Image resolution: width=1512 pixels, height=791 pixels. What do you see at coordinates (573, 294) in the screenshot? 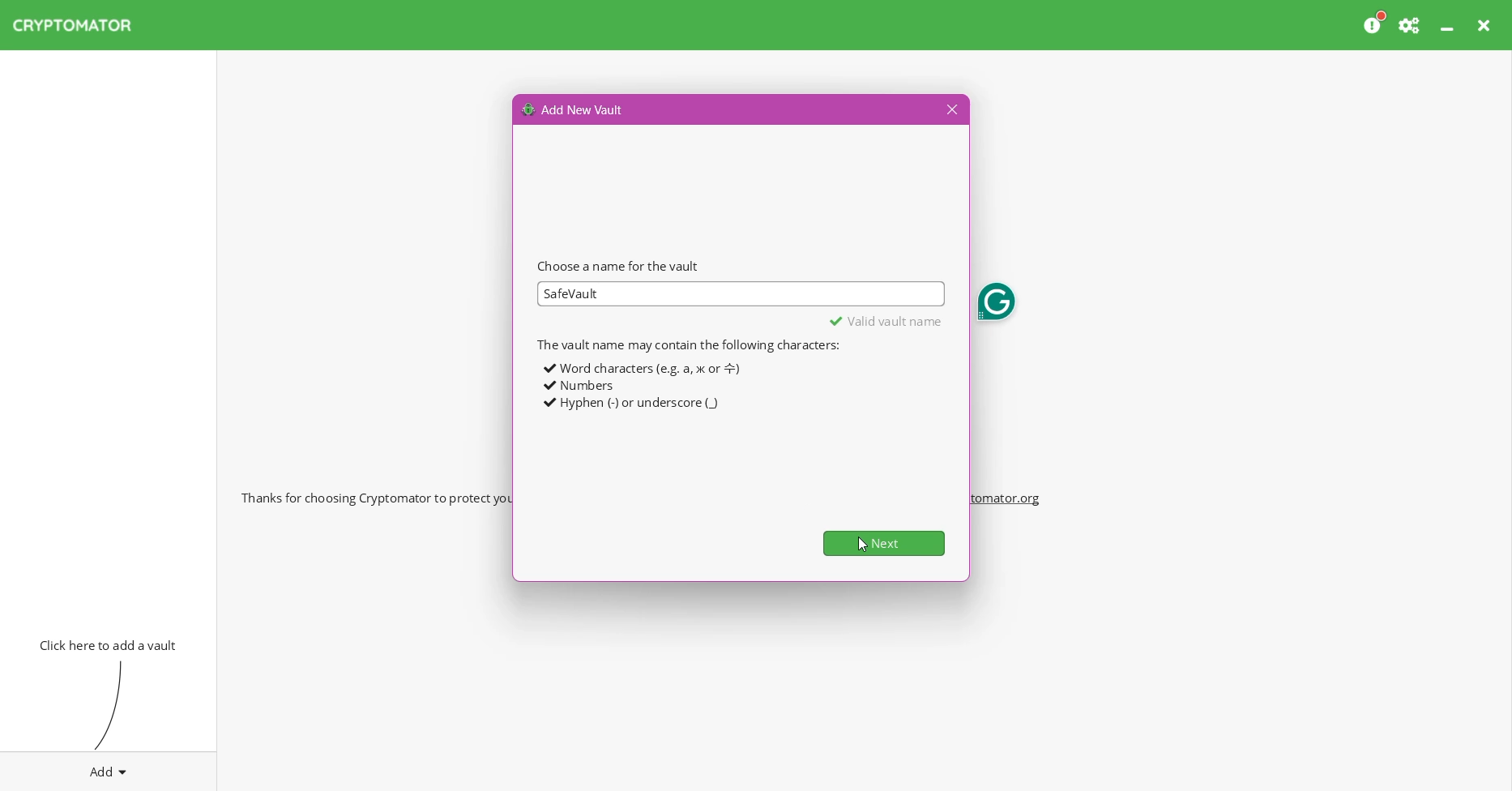
I see `SafeVault` at bounding box center [573, 294].